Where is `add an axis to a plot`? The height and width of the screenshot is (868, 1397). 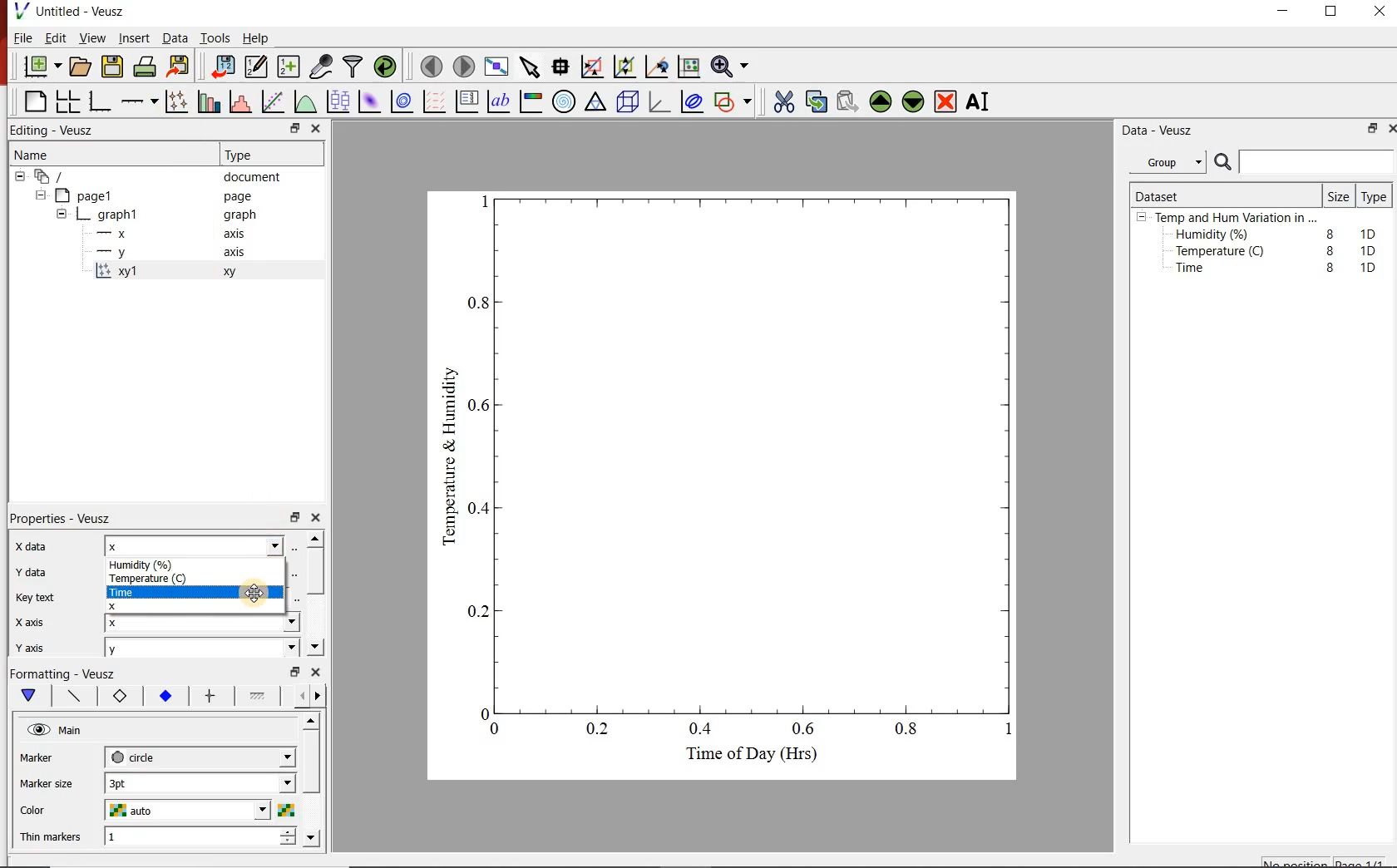 add an axis to a plot is located at coordinates (141, 100).